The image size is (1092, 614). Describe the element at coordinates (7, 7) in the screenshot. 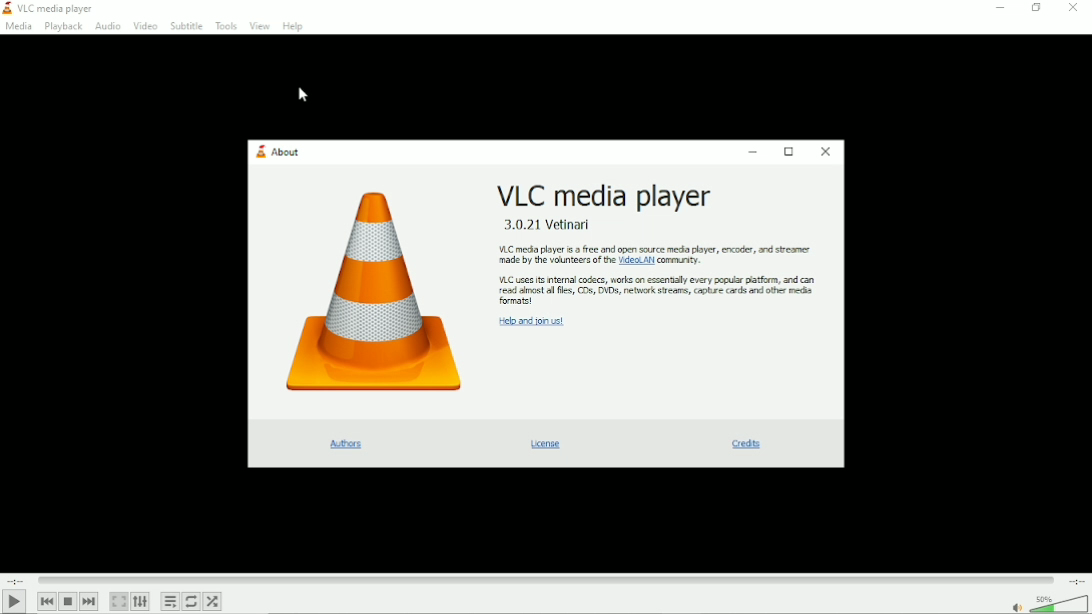

I see `vlc logo` at that location.